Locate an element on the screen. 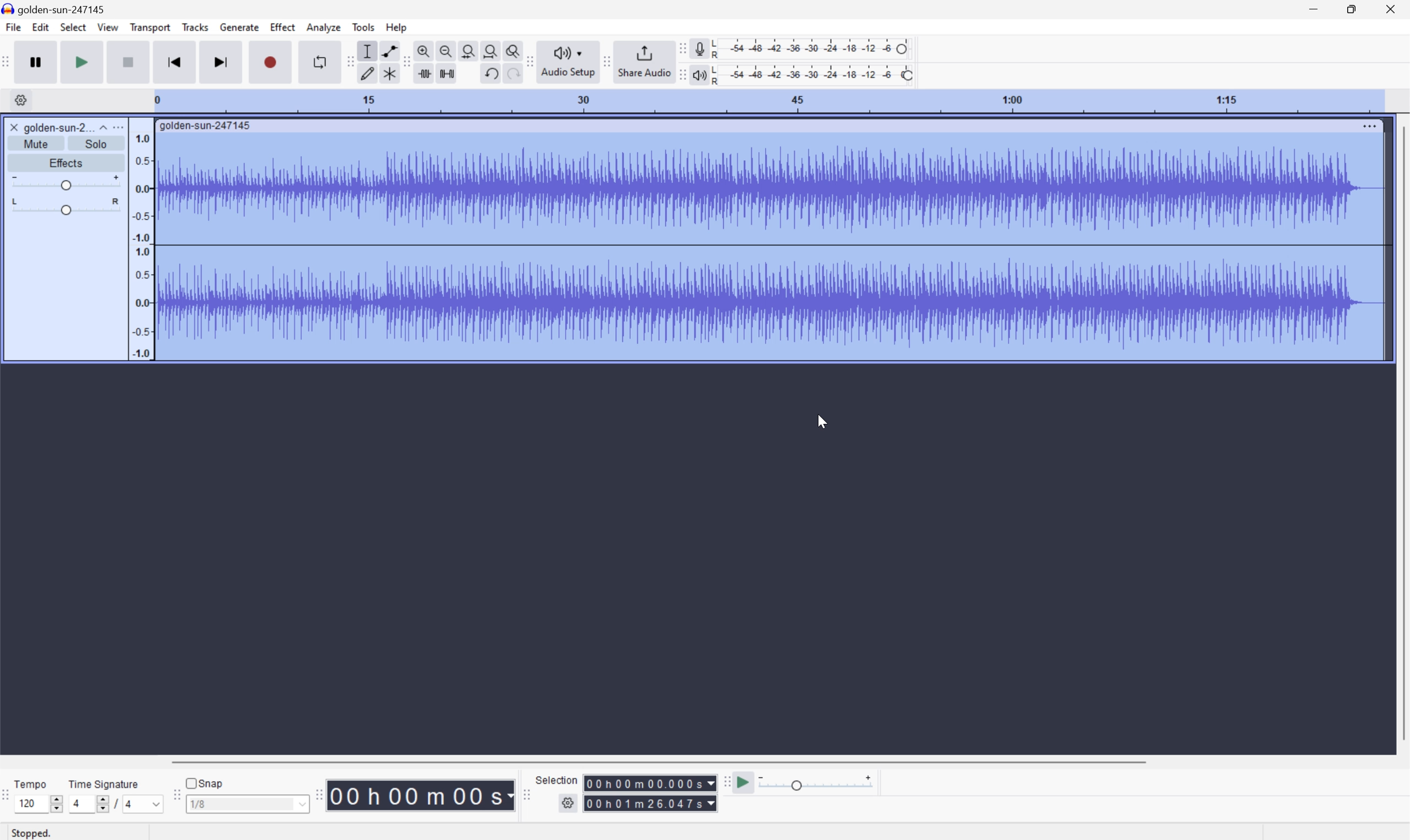  Audacity share audio toolbar is located at coordinates (607, 62).